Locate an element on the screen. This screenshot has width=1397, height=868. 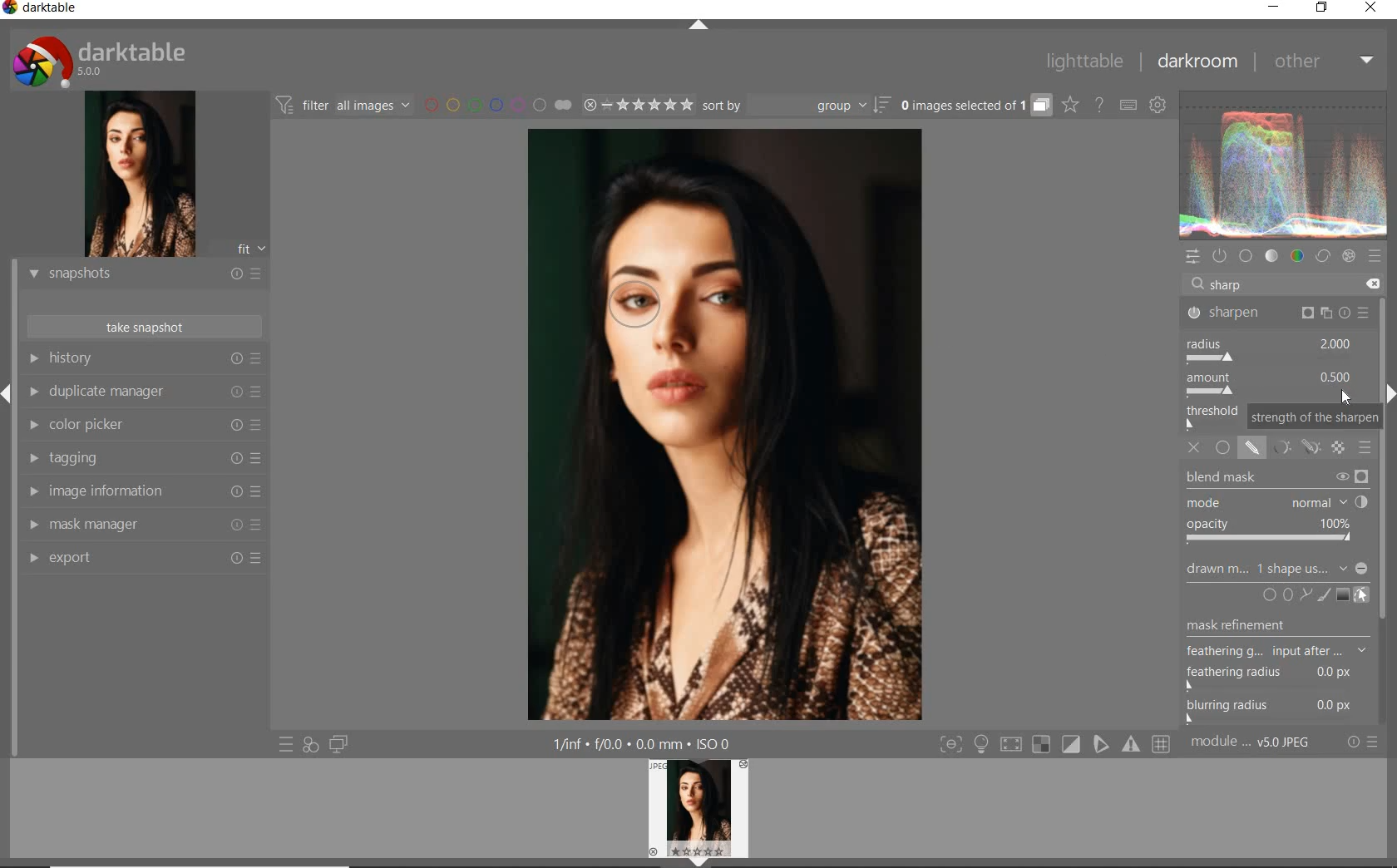
range ratings for selected images is located at coordinates (623, 106).